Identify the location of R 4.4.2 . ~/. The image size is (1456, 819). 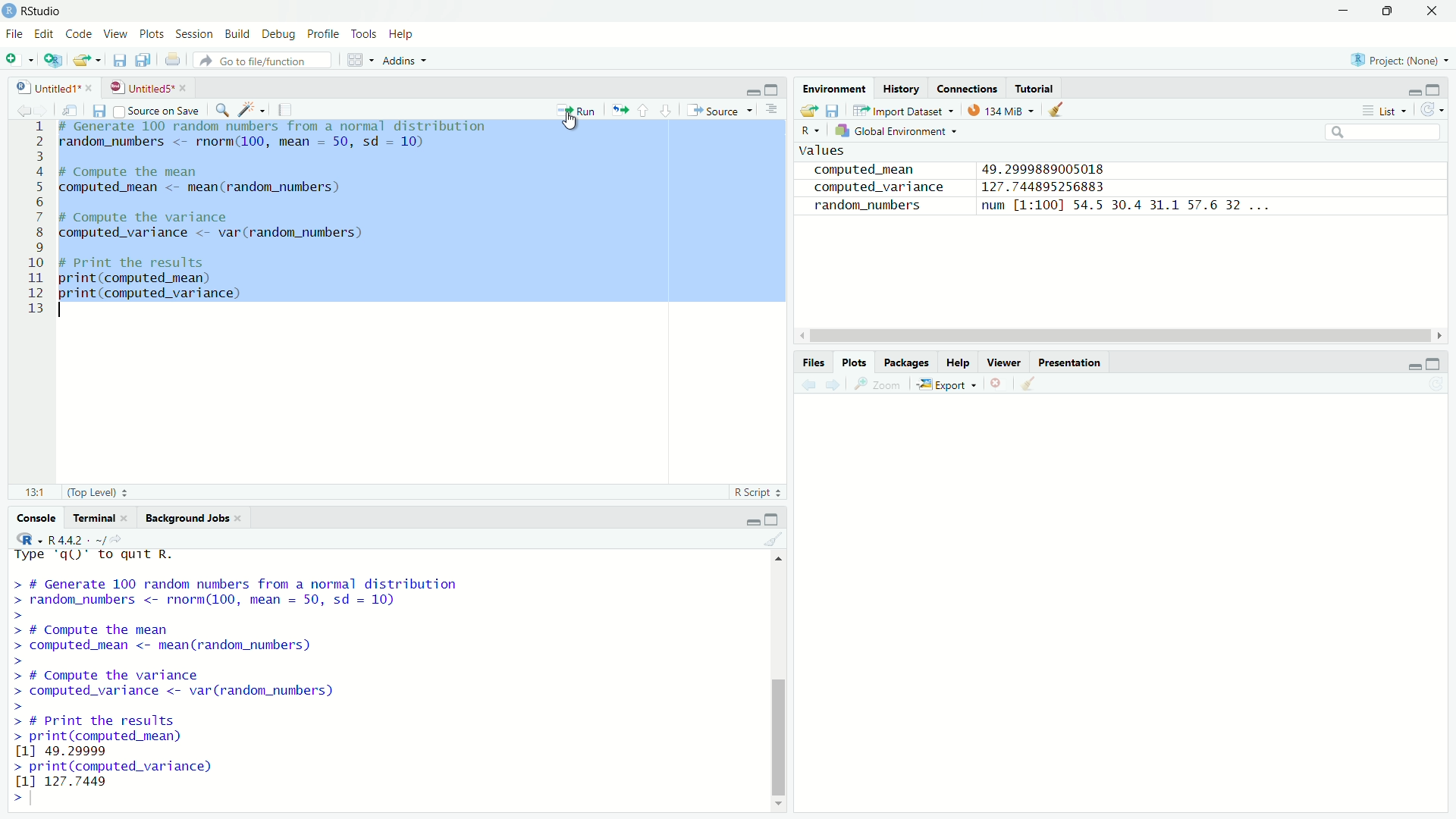
(77, 539).